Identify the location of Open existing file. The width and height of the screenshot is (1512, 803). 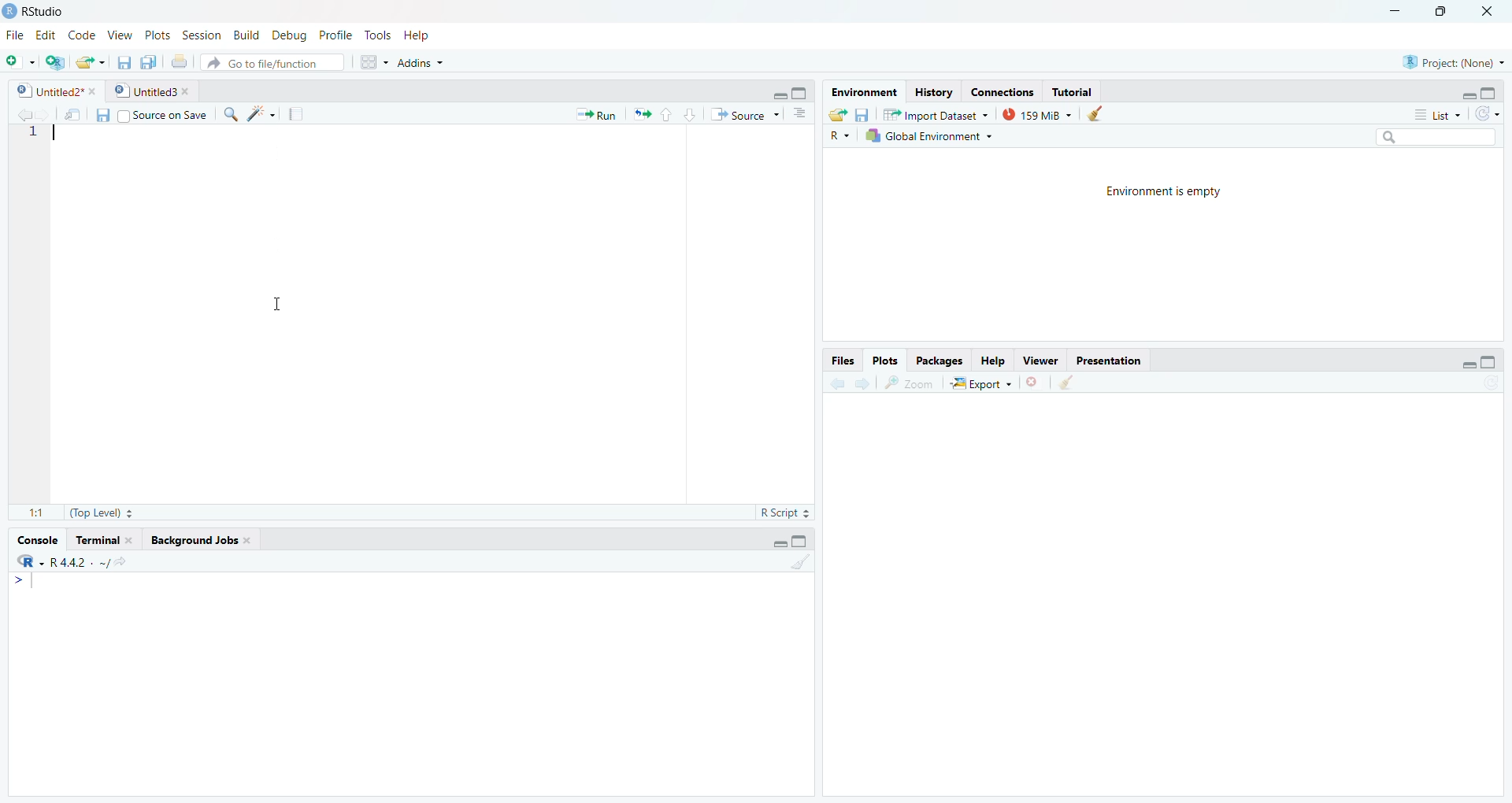
(91, 62).